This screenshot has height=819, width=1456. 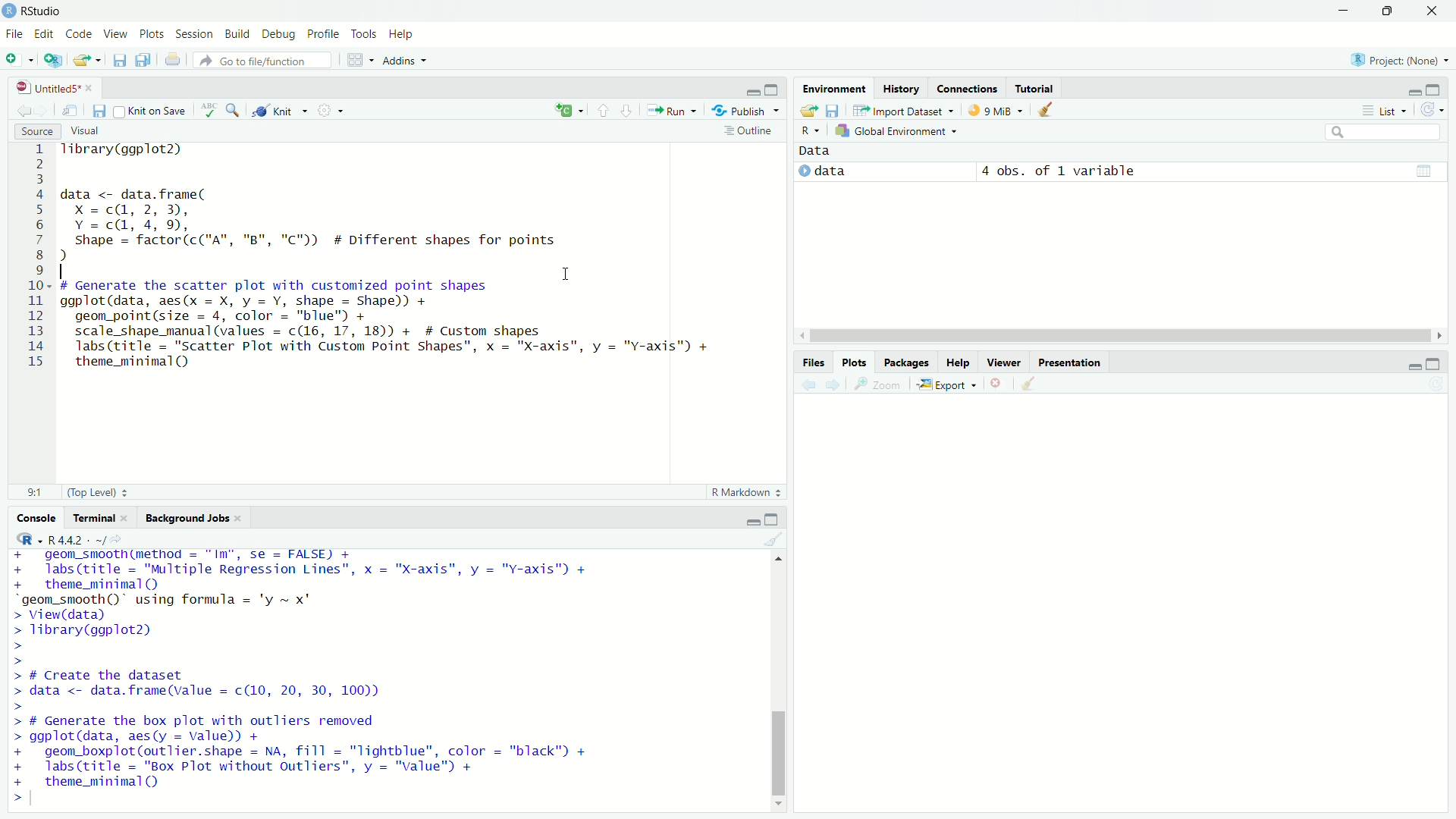 What do you see at coordinates (237, 519) in the screenshot?
I see `close` at bounding box center [237, 519].